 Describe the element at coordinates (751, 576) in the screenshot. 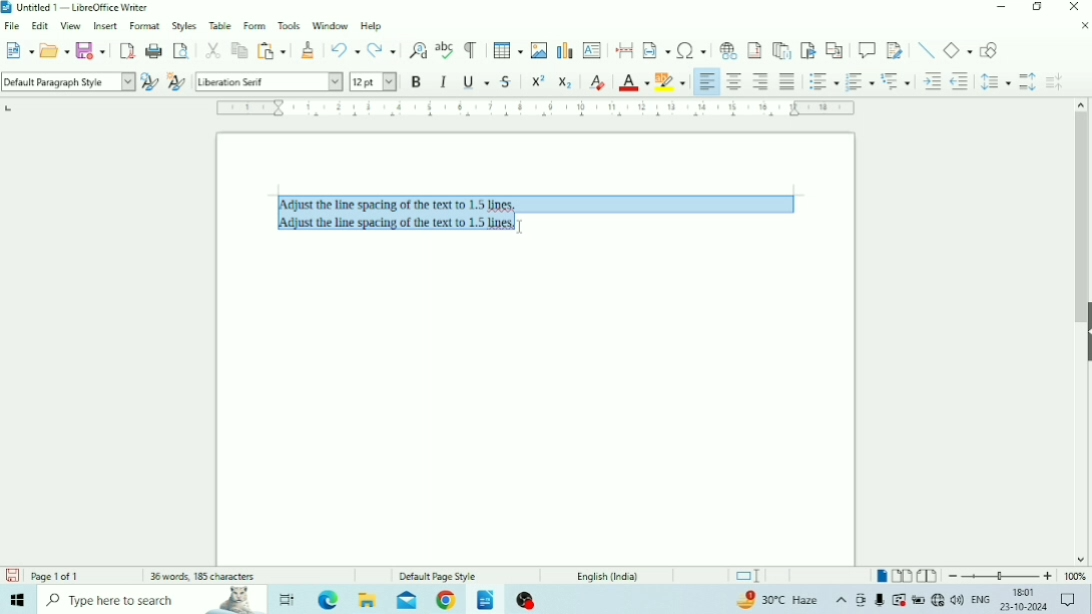

I see `Standard selection` at that location.